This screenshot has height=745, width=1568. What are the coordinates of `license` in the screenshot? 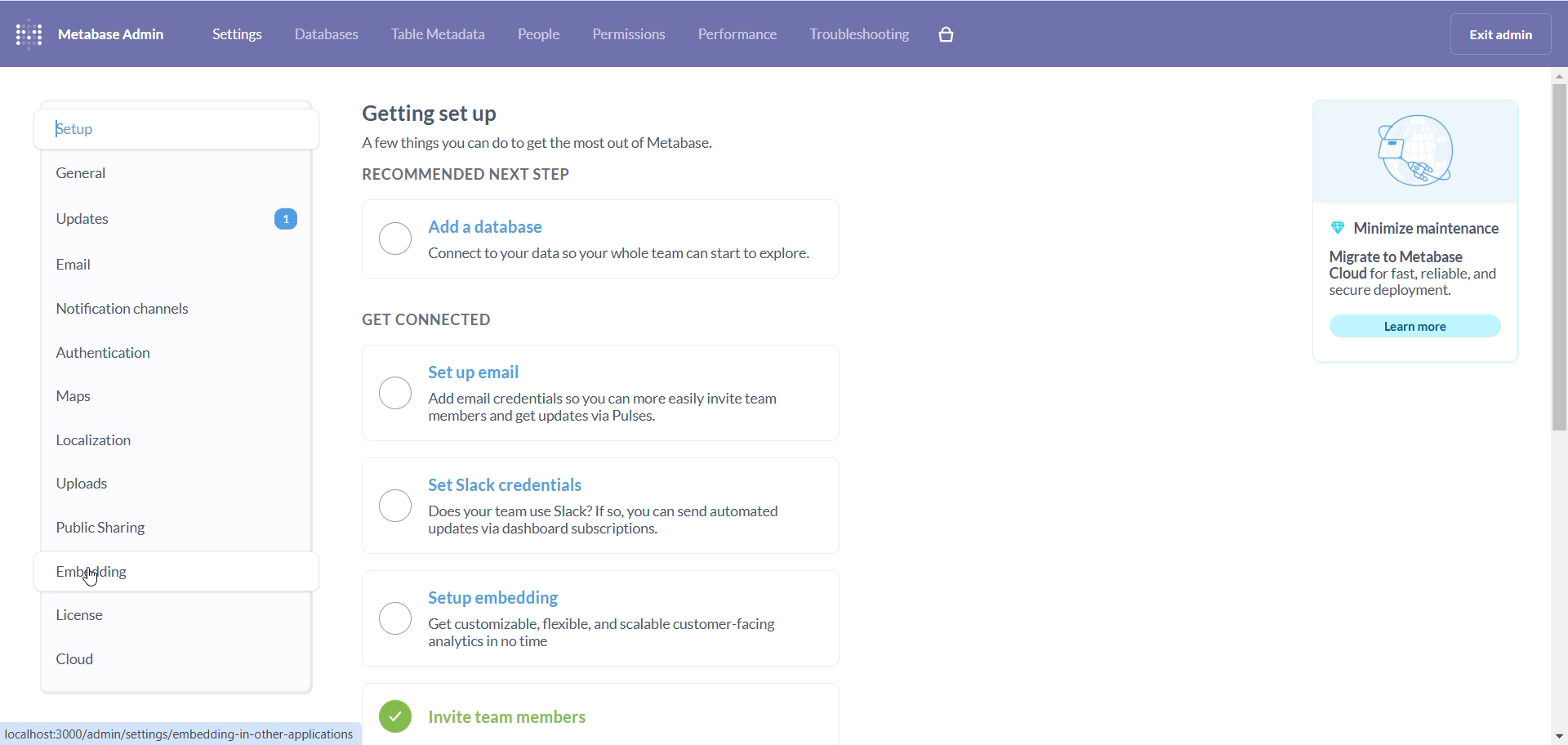 It's located at (153, 620).